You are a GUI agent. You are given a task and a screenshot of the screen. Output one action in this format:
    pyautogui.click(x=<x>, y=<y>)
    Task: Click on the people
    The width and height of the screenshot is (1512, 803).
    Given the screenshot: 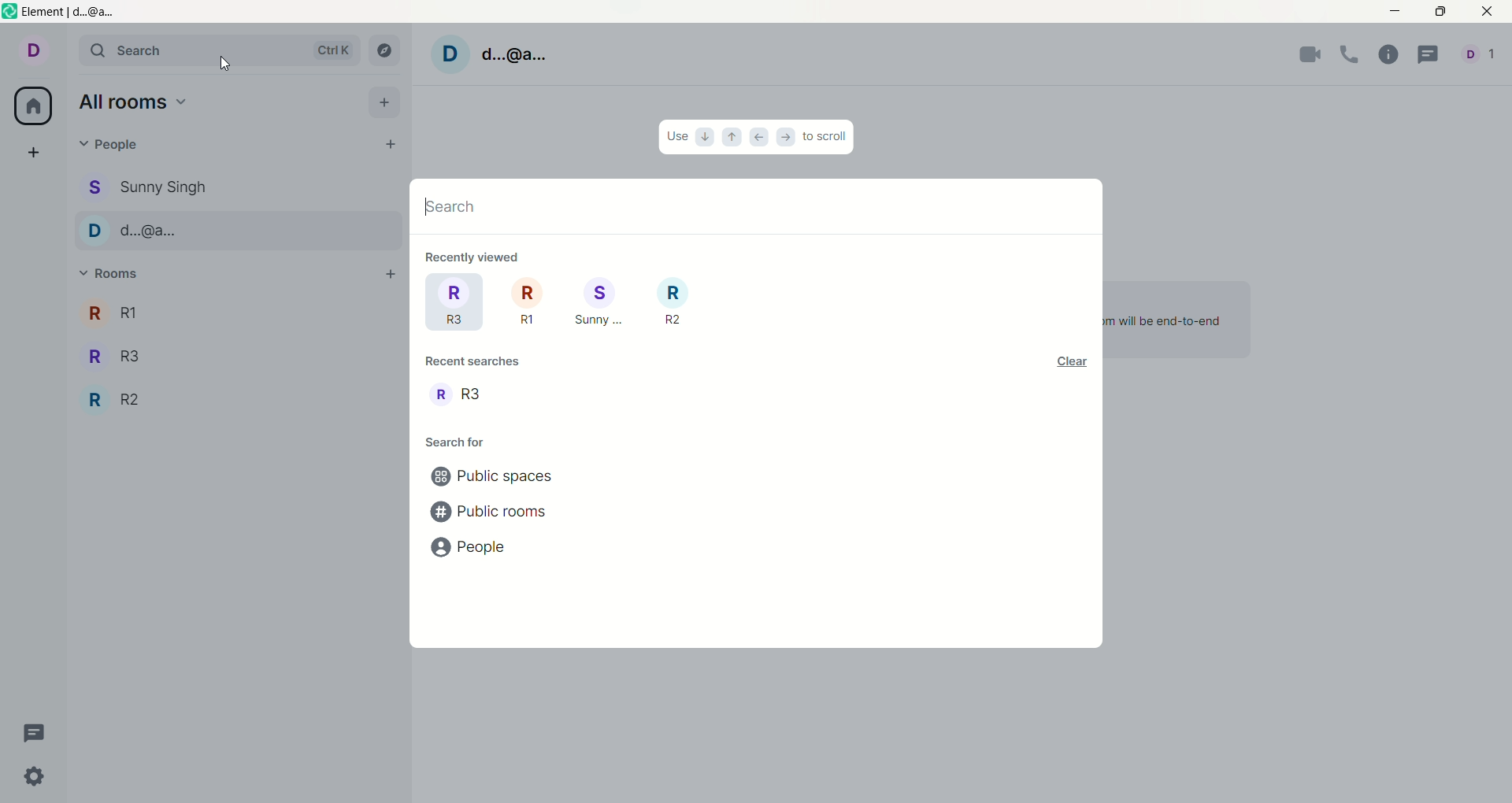 What is the action you would take?
    pyautogui.click(x=116, y=147)
    